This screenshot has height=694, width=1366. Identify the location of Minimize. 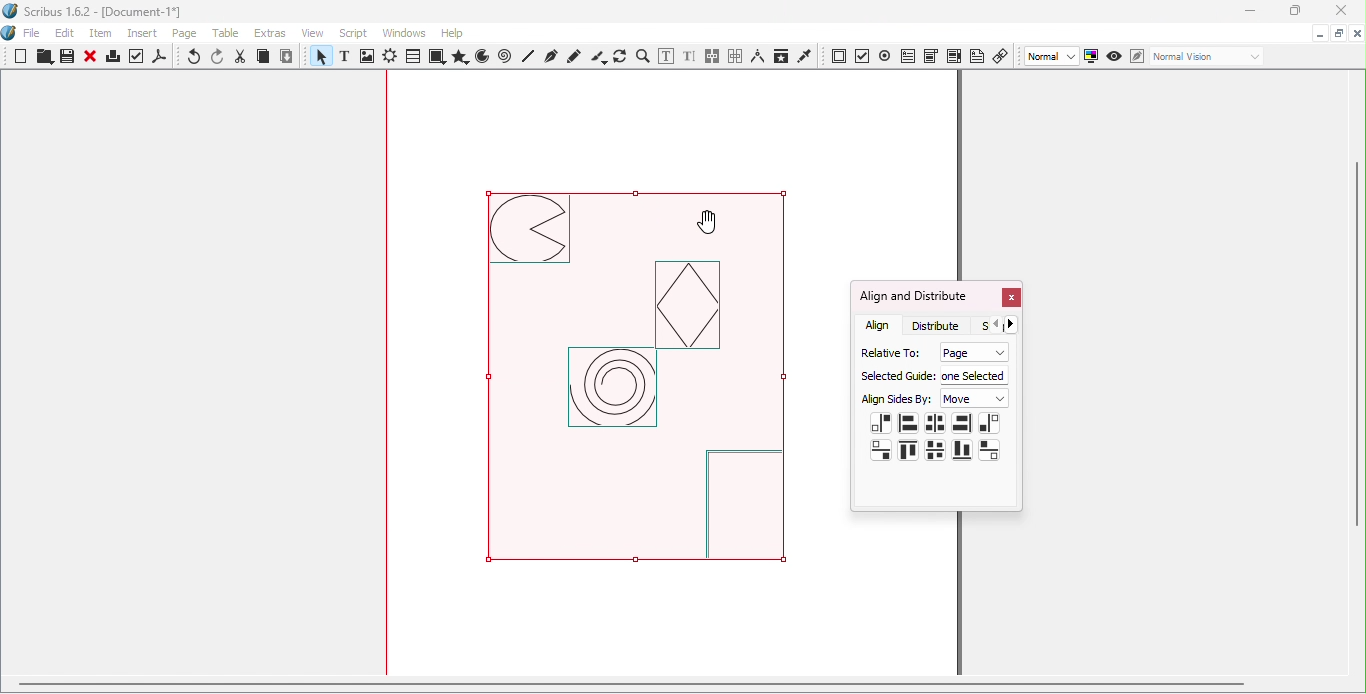
(1318, 32).